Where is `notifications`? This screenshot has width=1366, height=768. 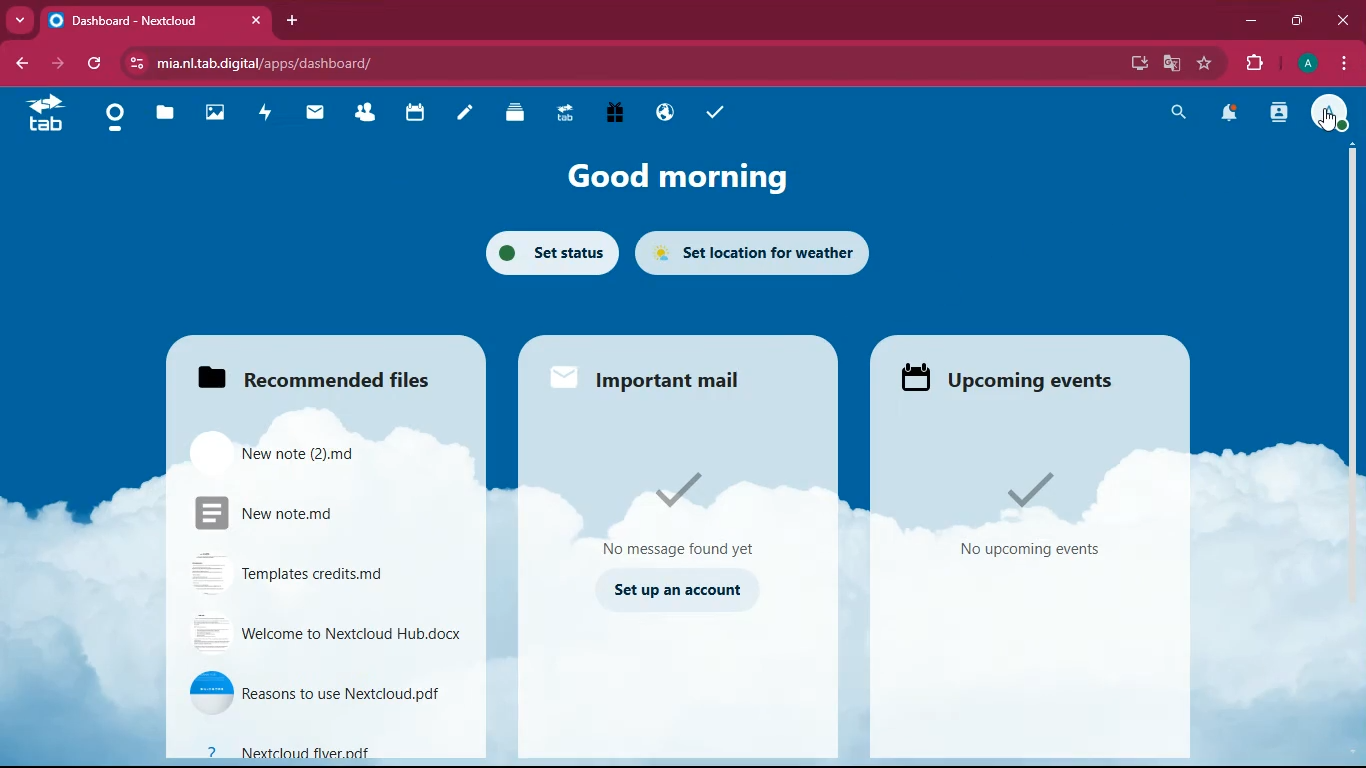
notifications is located at coordinates (1232, 114).